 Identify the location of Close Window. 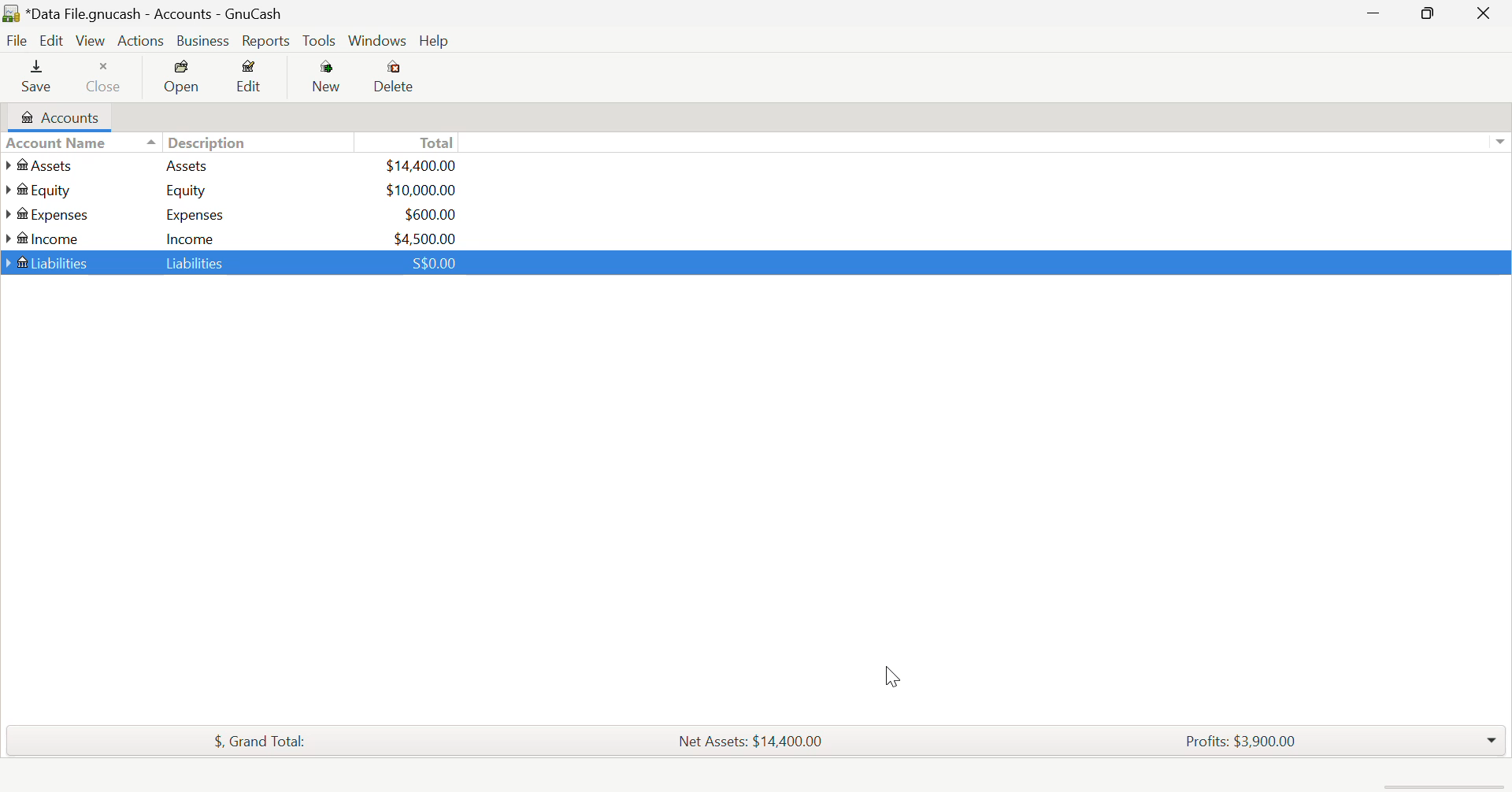
(1488, 13).